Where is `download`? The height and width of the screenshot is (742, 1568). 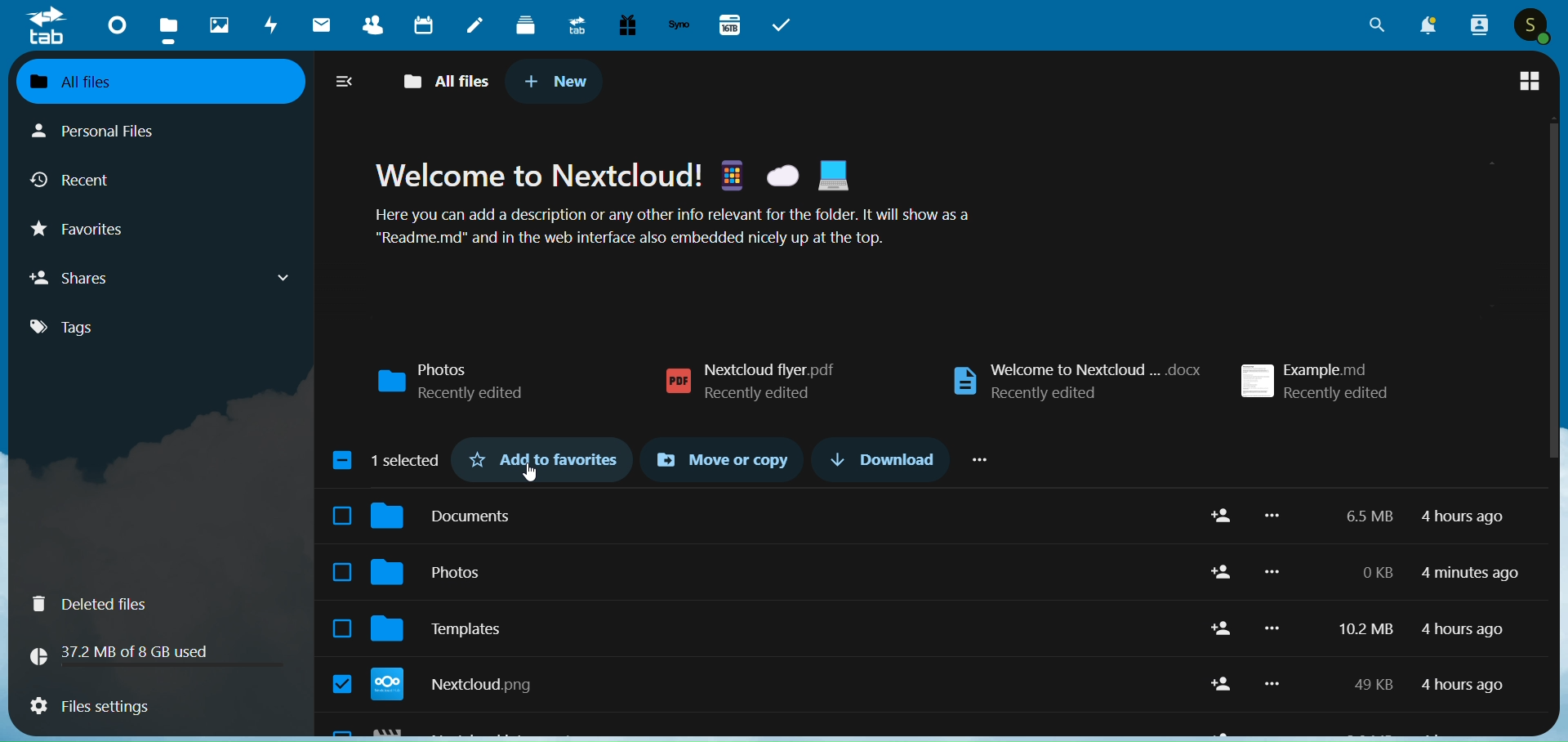 download is located at coordinates (877, 456).